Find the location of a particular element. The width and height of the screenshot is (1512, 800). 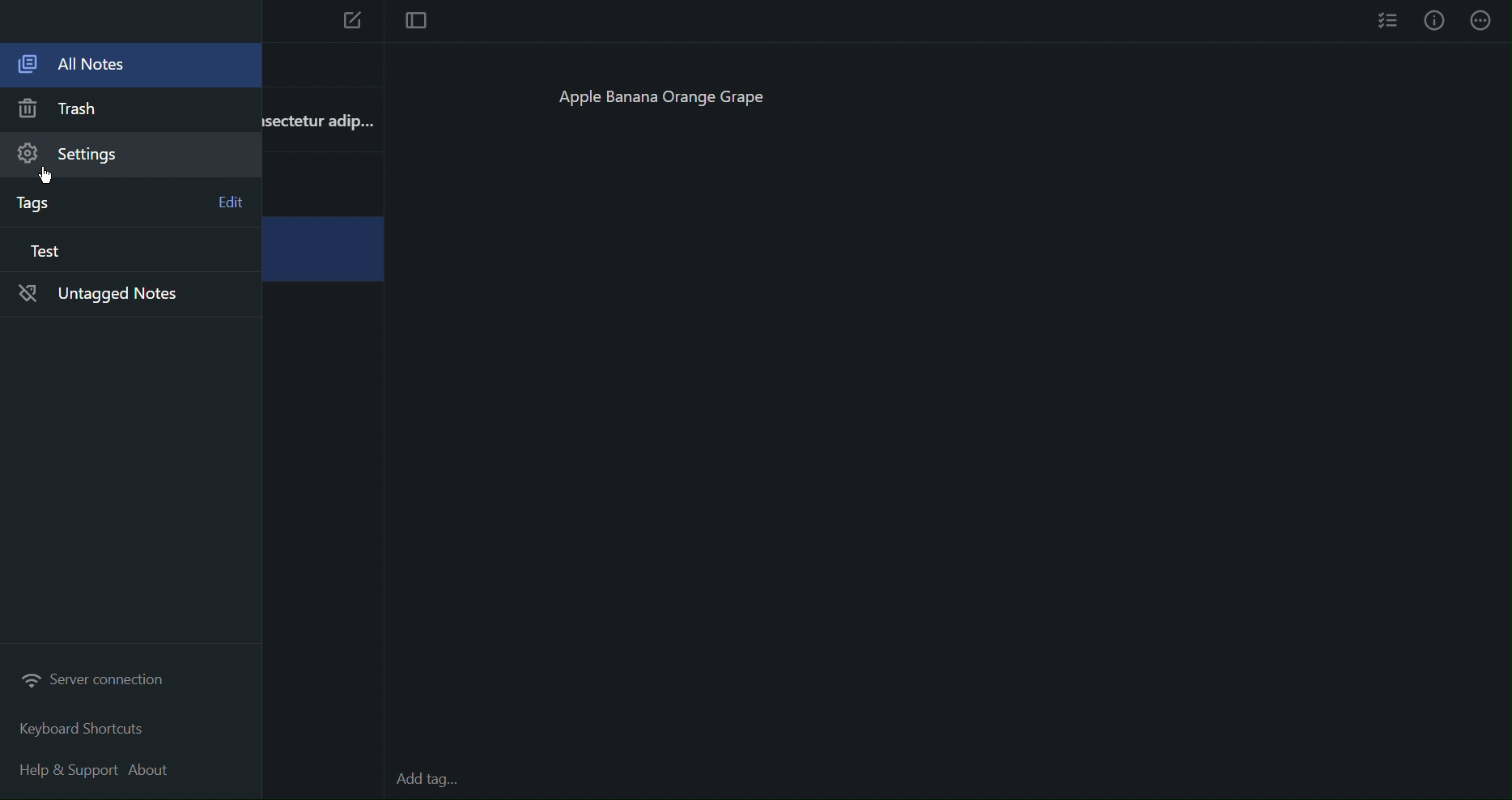

isectetur adip.. is located at coordinates (317, 119).